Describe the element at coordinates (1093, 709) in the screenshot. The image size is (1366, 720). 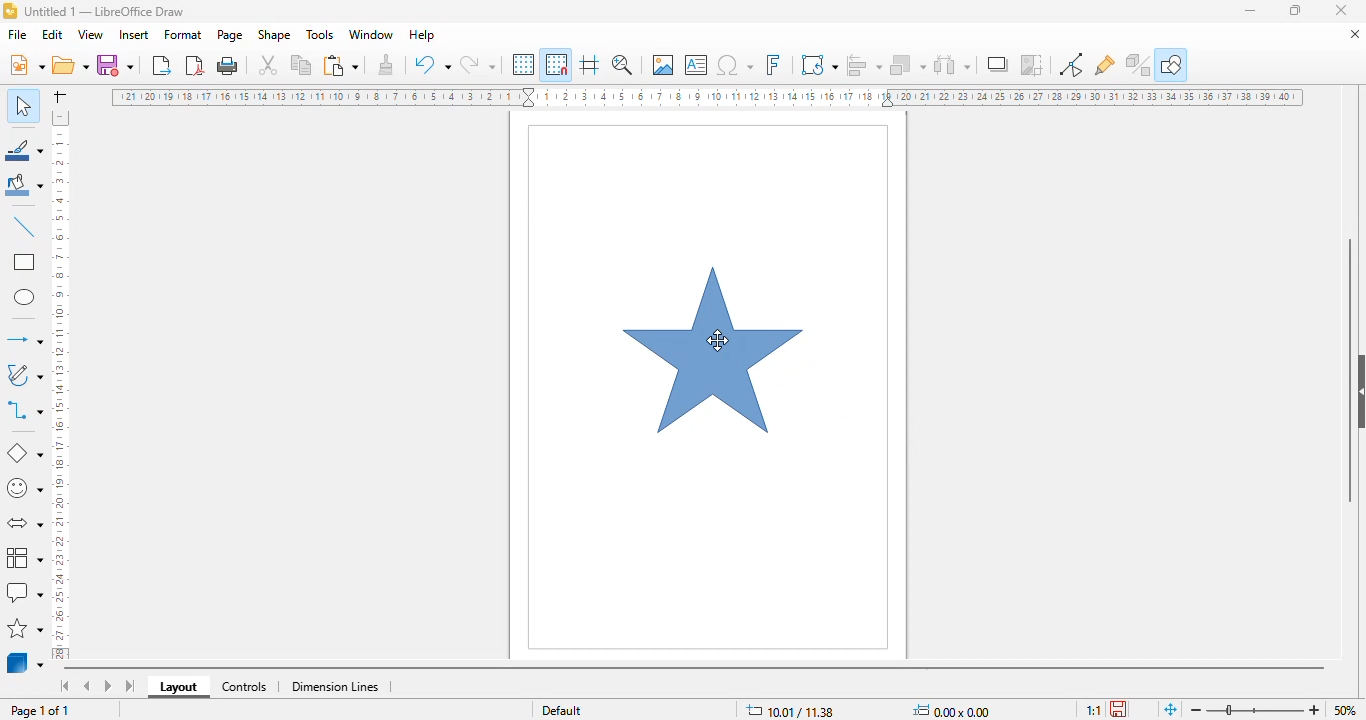
I see `scaling factor of the document` at that location.